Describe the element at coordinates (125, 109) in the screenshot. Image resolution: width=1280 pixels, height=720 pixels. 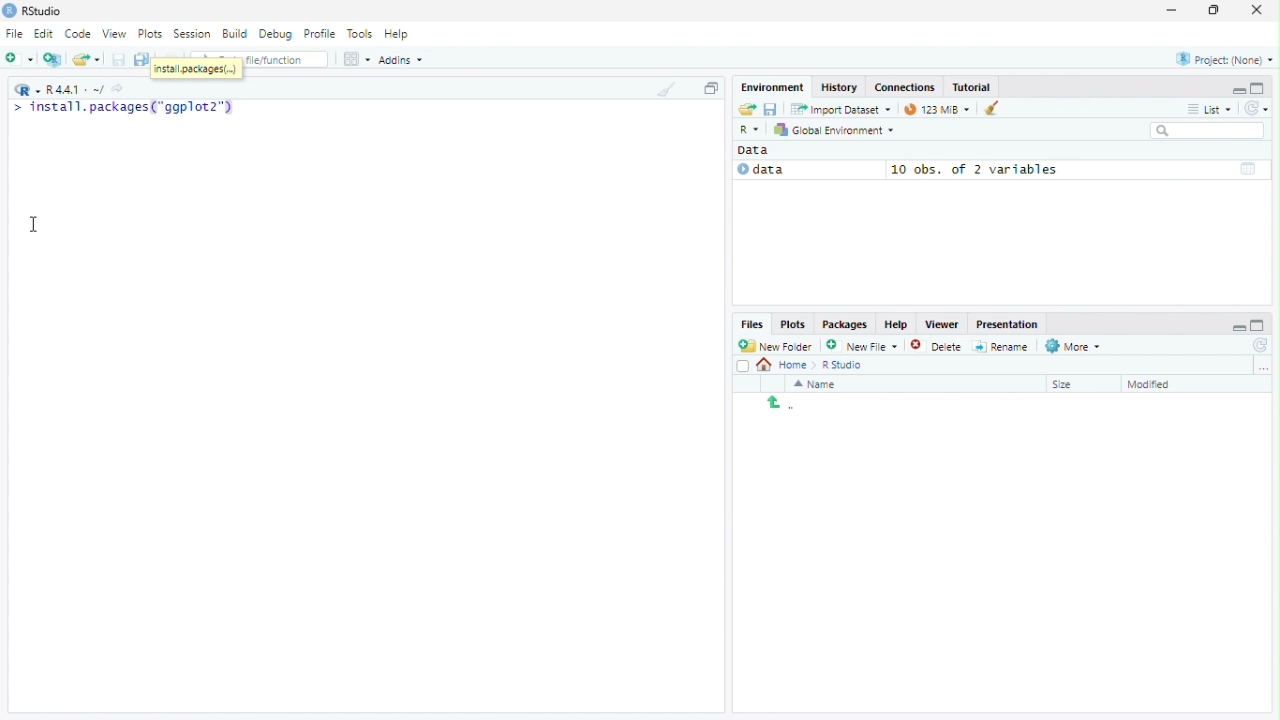
I see `> install.packages("ggplot2")` at that location.